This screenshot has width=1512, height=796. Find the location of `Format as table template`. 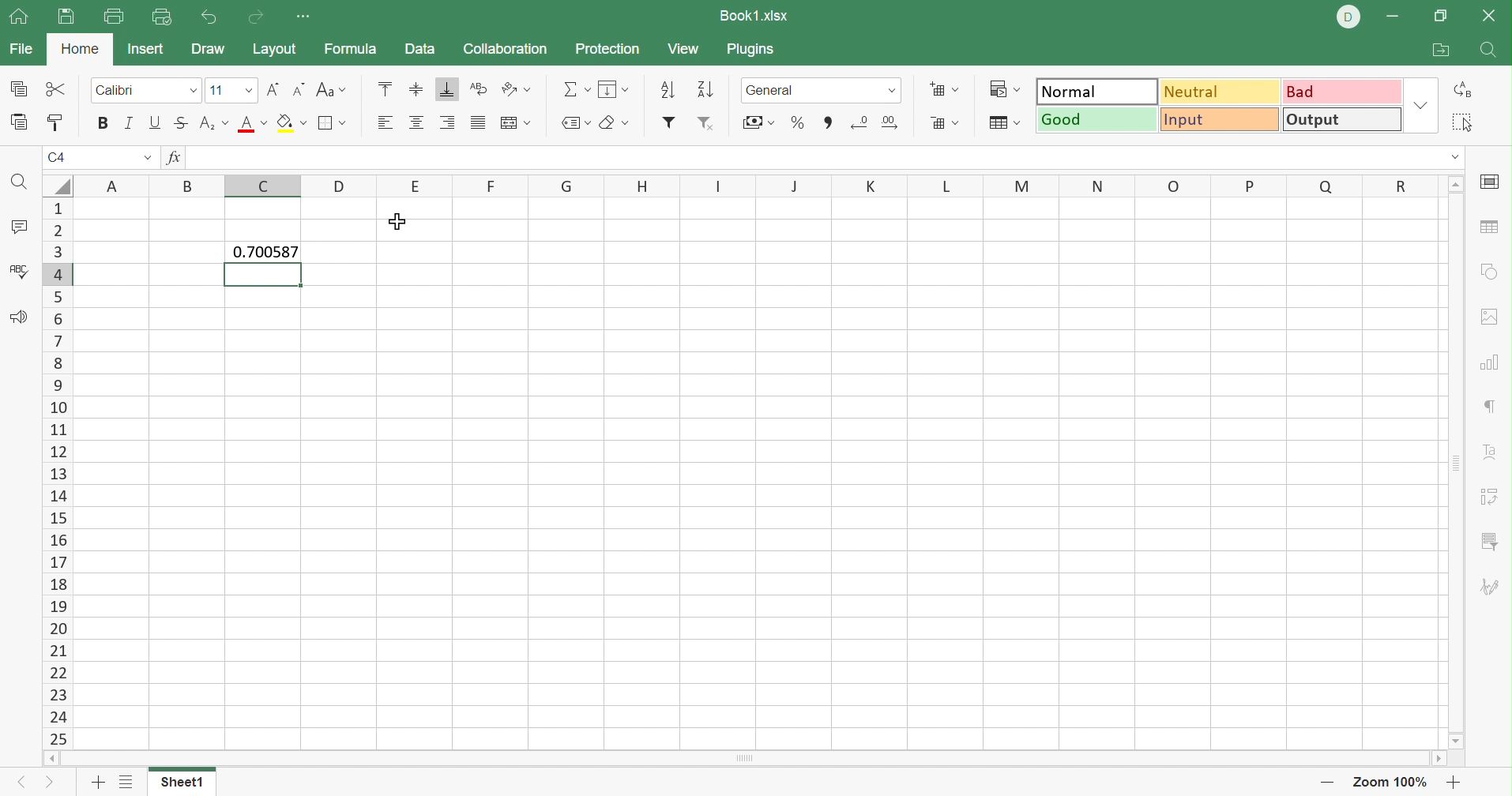

Format as table template is located at coordinates (1005, 123).